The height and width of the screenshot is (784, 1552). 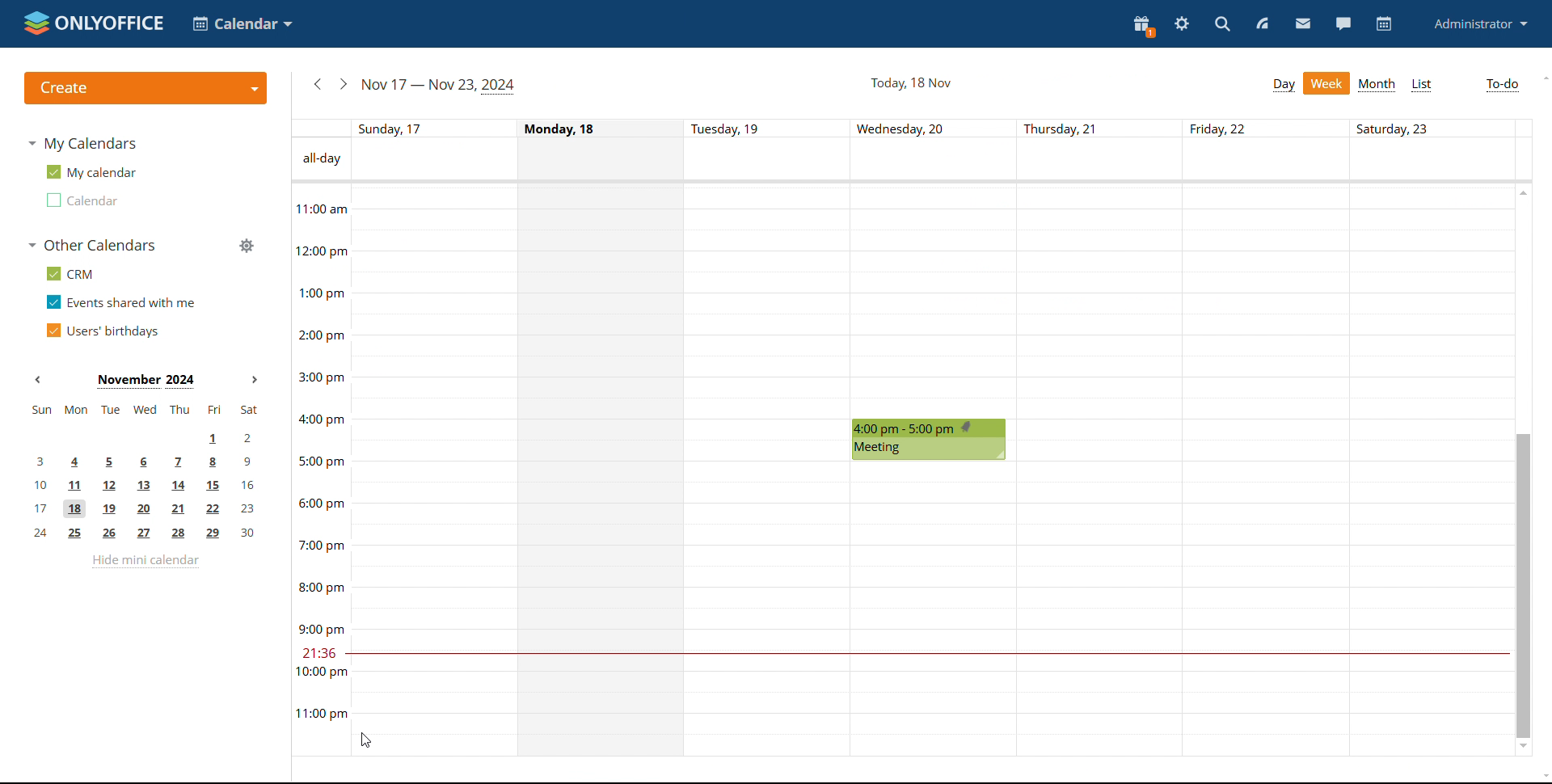 I want to click on my calendars, so click(x=82, y=143).